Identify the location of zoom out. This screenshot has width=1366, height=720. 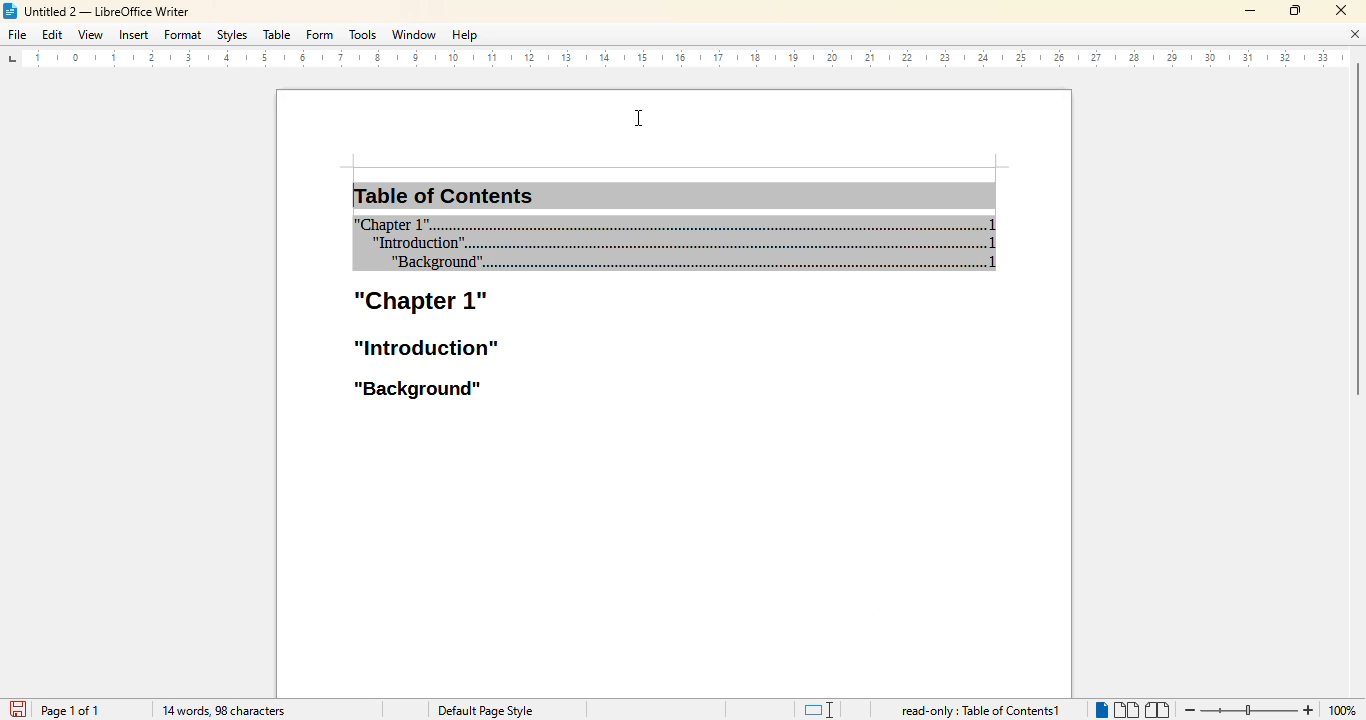
(1188, 711).